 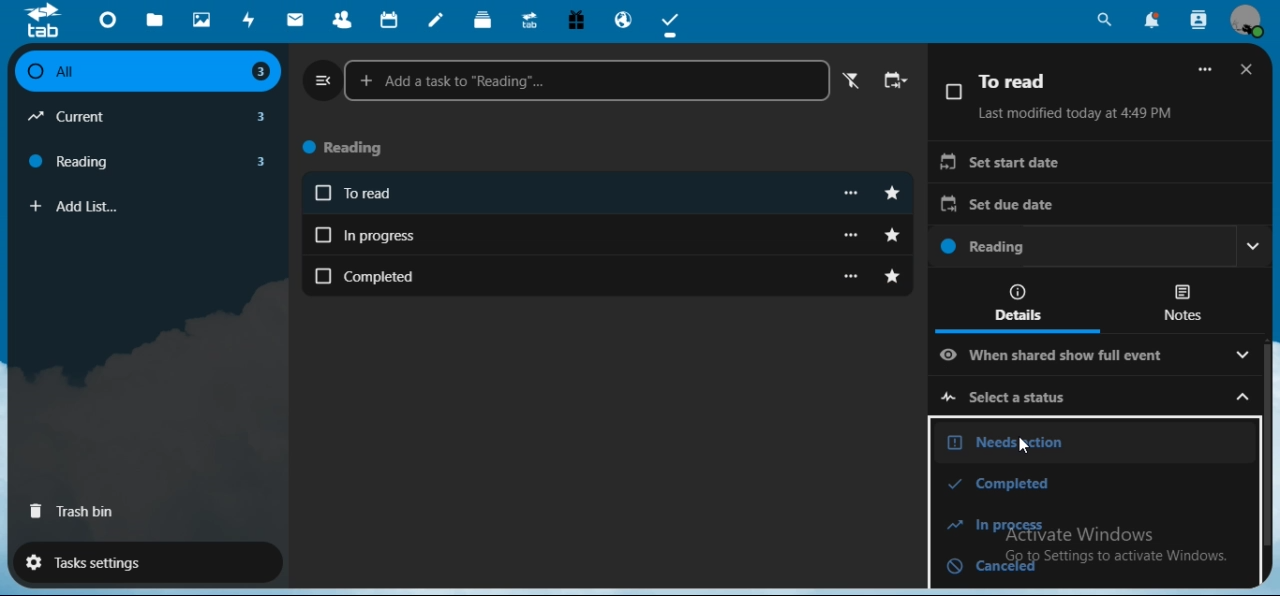 What do you see at coordinates (896, 276) in the screenshot?
I see `toggle starred` at bounding box center [896, 276].